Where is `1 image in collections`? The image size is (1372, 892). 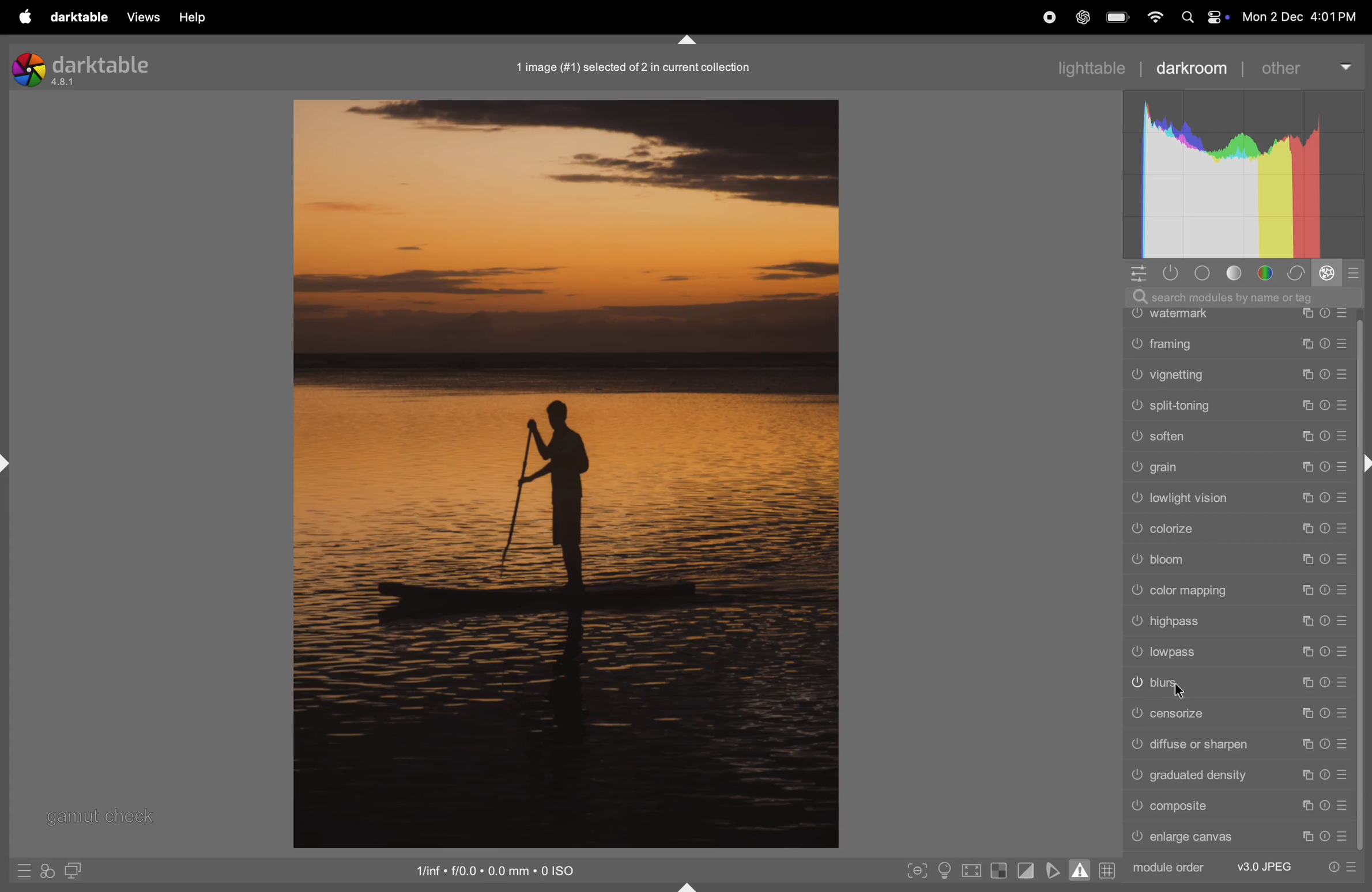 1 image in collections is located at coordinates (639, 66).